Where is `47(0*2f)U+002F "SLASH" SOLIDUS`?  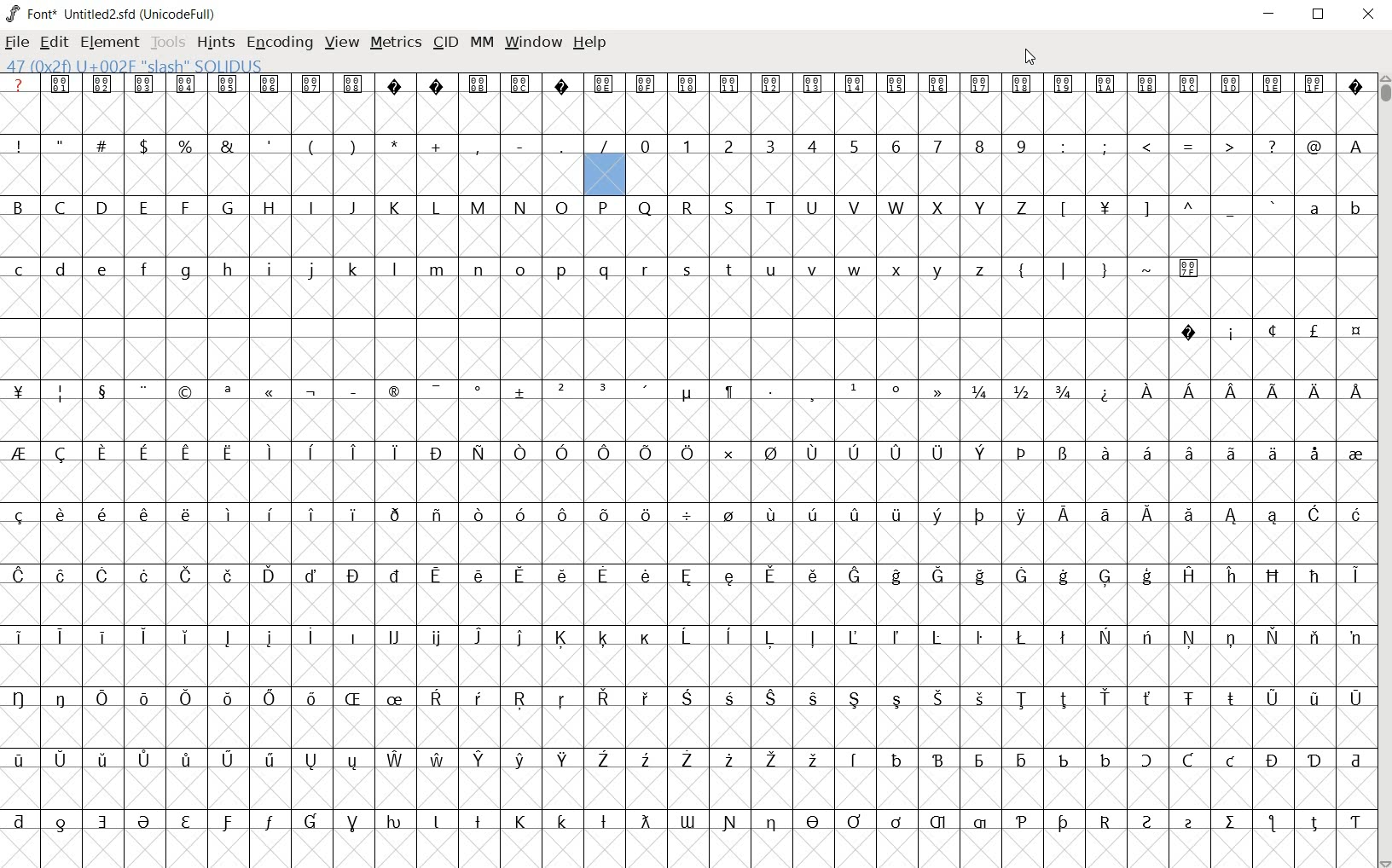
47(0*2f)U+002F "SLASH" SOLIDUS is located at coordinates (134, 65).